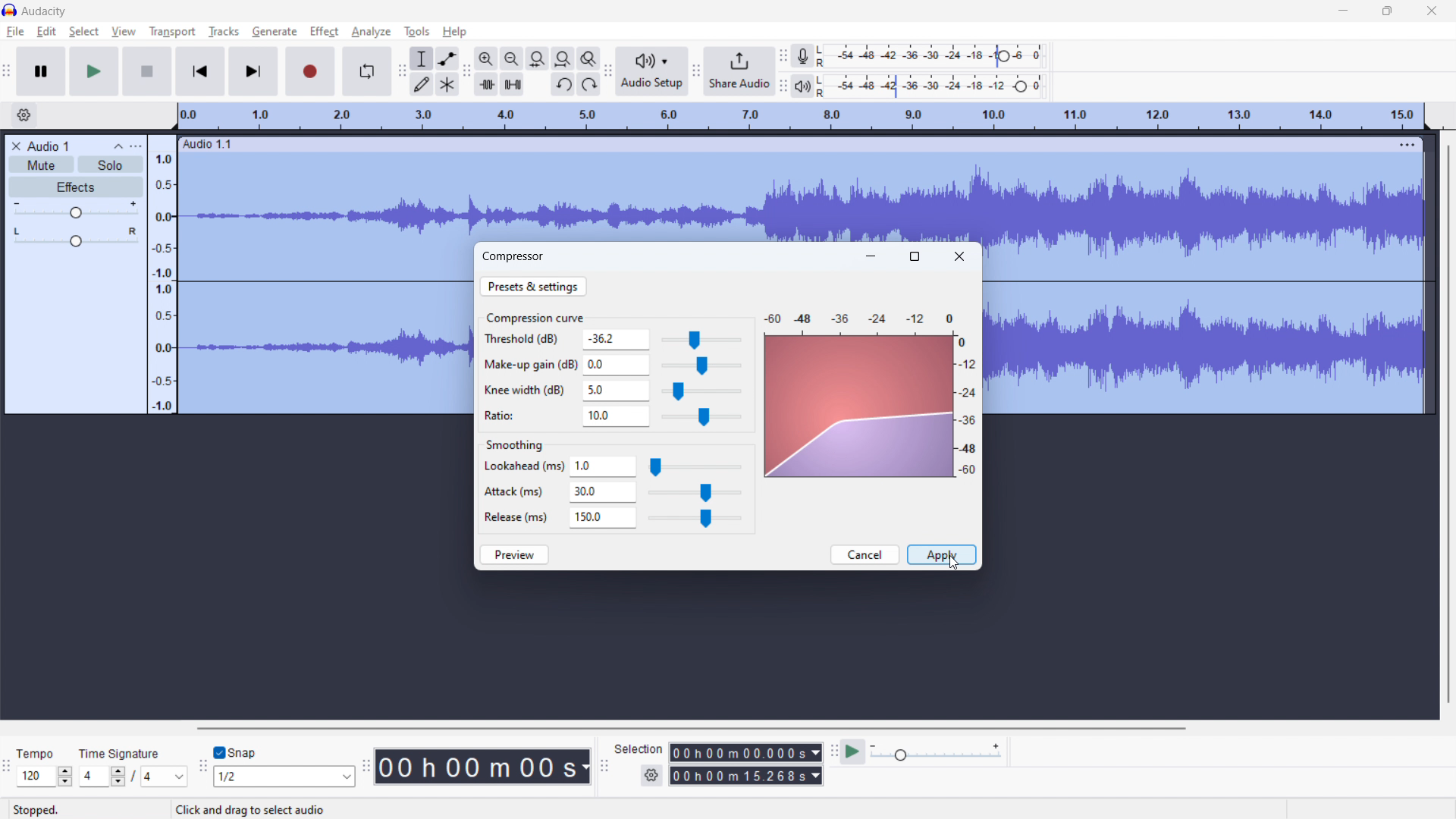 This screenshot has width=1456, height=819. What do you see at coordinates (954, 564) in the screenshot?
I see `cursor` at bounding box center [954, 564].